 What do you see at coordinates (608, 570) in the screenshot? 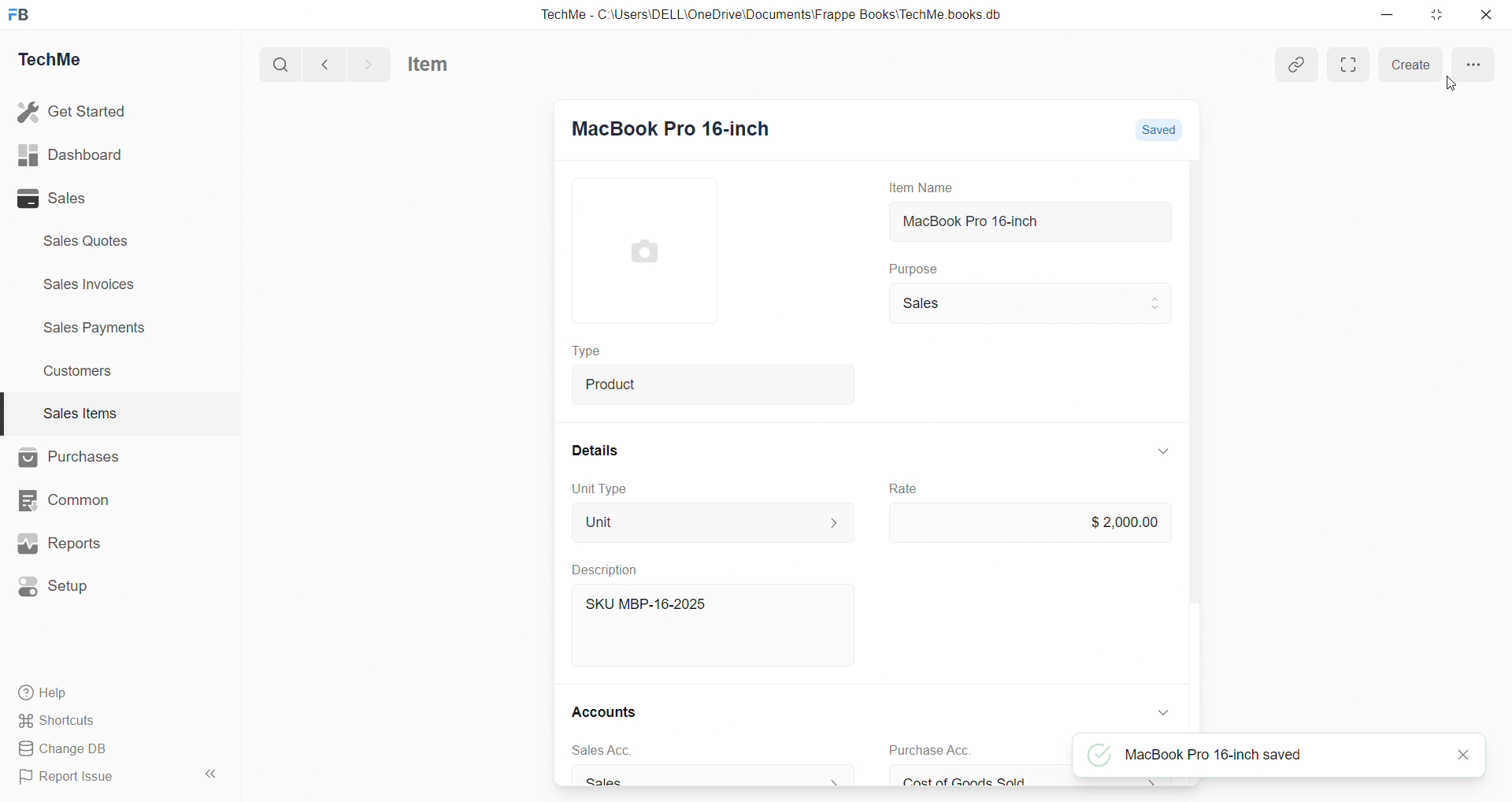
I see `Description` at bounding box center [608, 570].